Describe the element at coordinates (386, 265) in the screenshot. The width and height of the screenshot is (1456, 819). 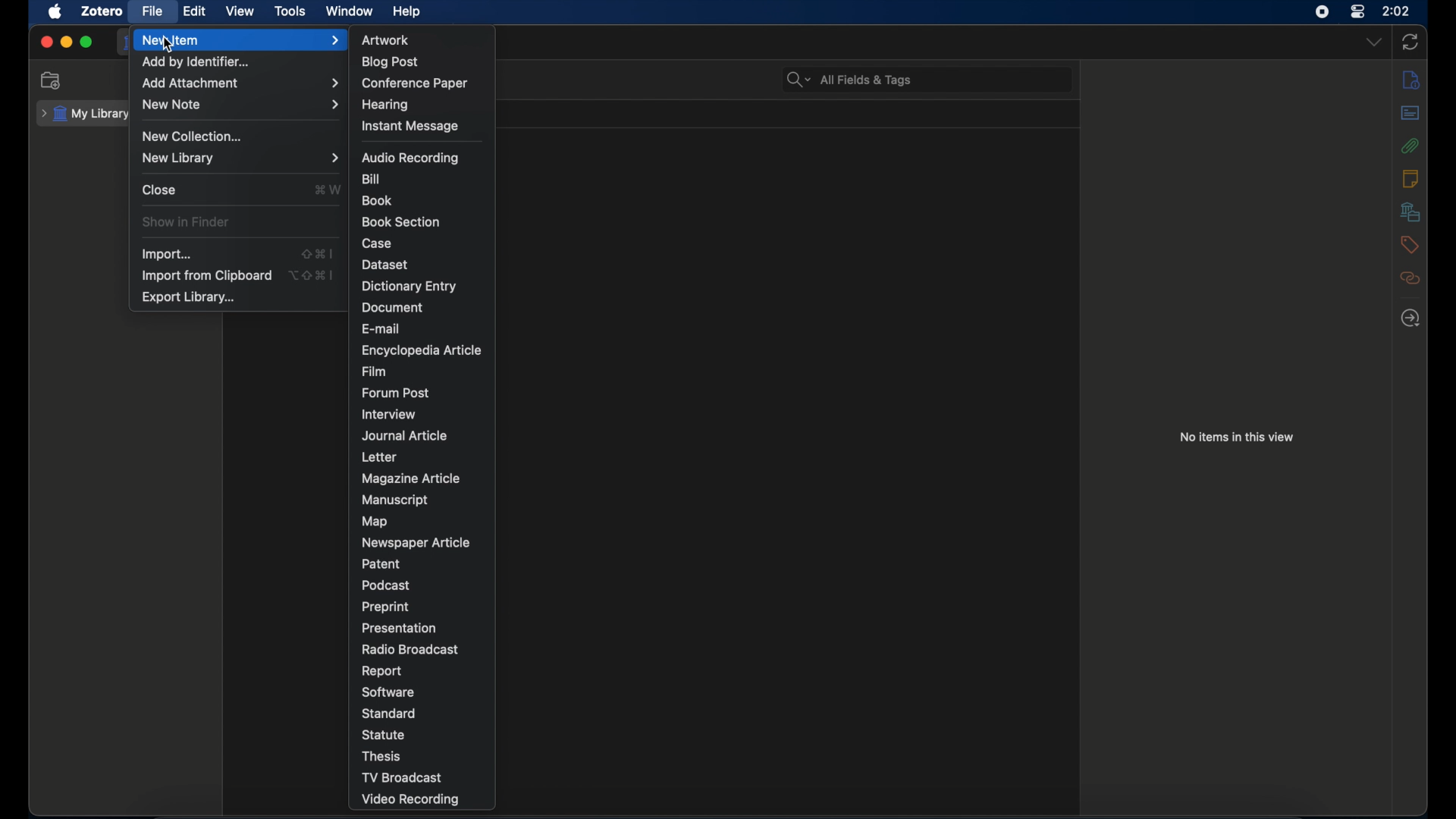
I see `dataset` at that location.